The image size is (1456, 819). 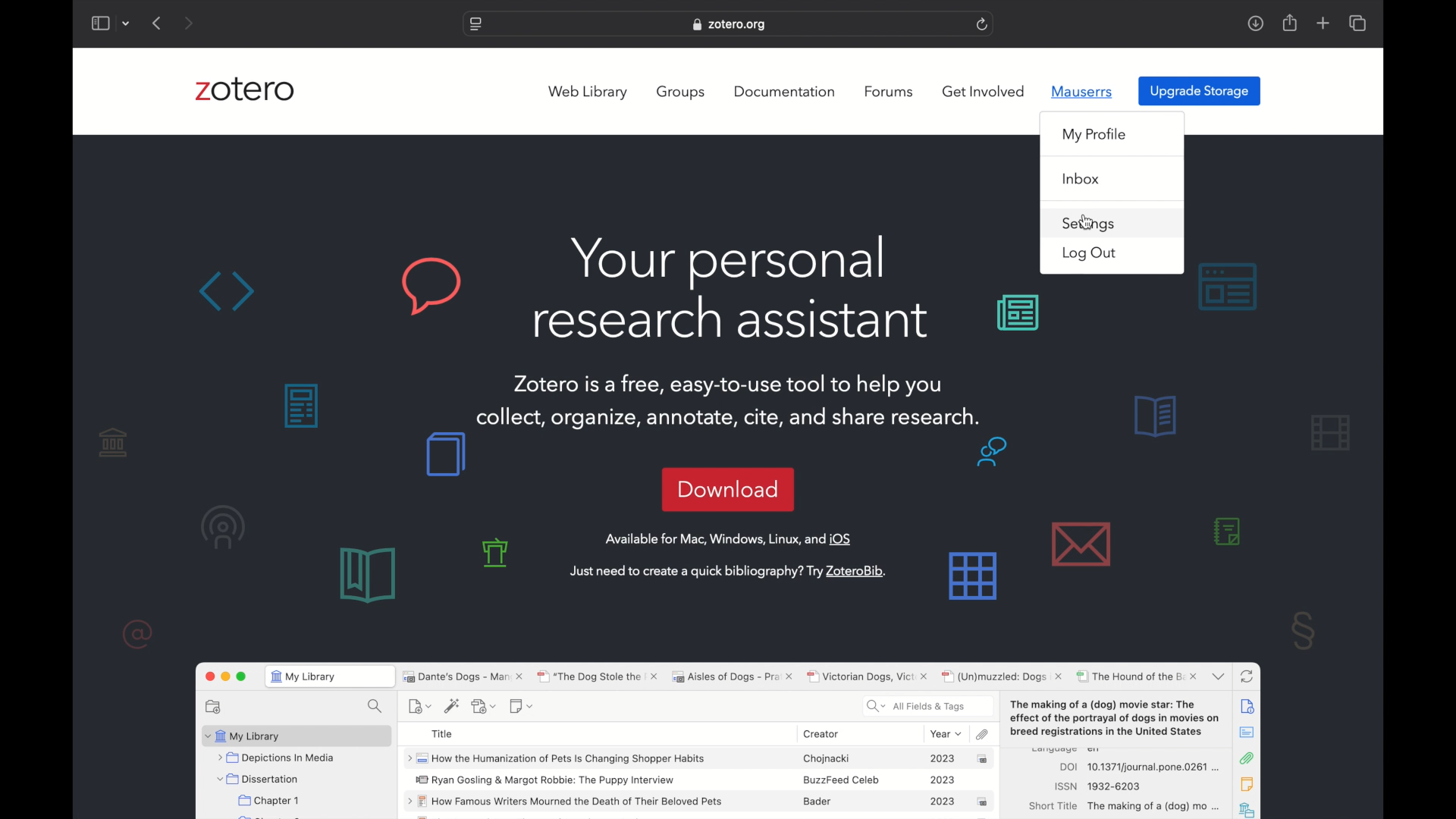 I want to click on website settings, so click(x=476, y=25).